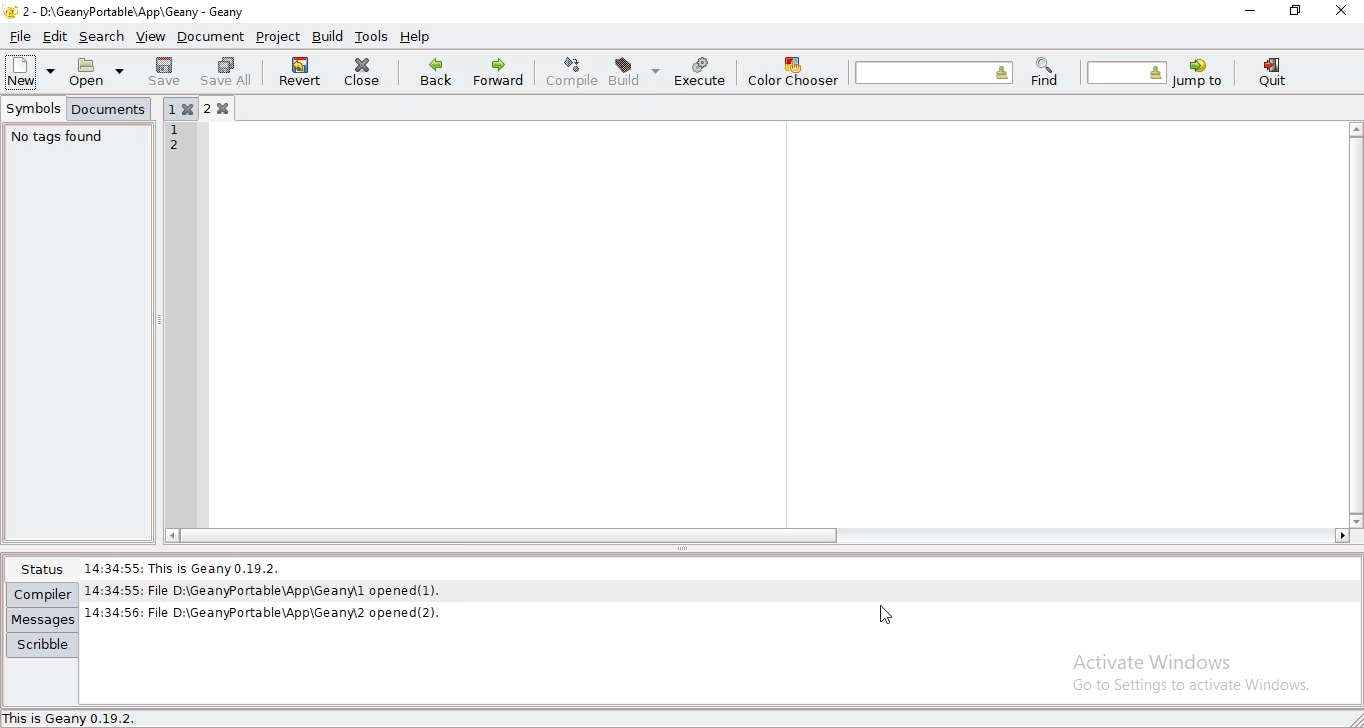 The width and height of the screenshot is (1364, 728). Describe the element at coordinates (299, 71) in the screenshot. I see `revert` at that location.